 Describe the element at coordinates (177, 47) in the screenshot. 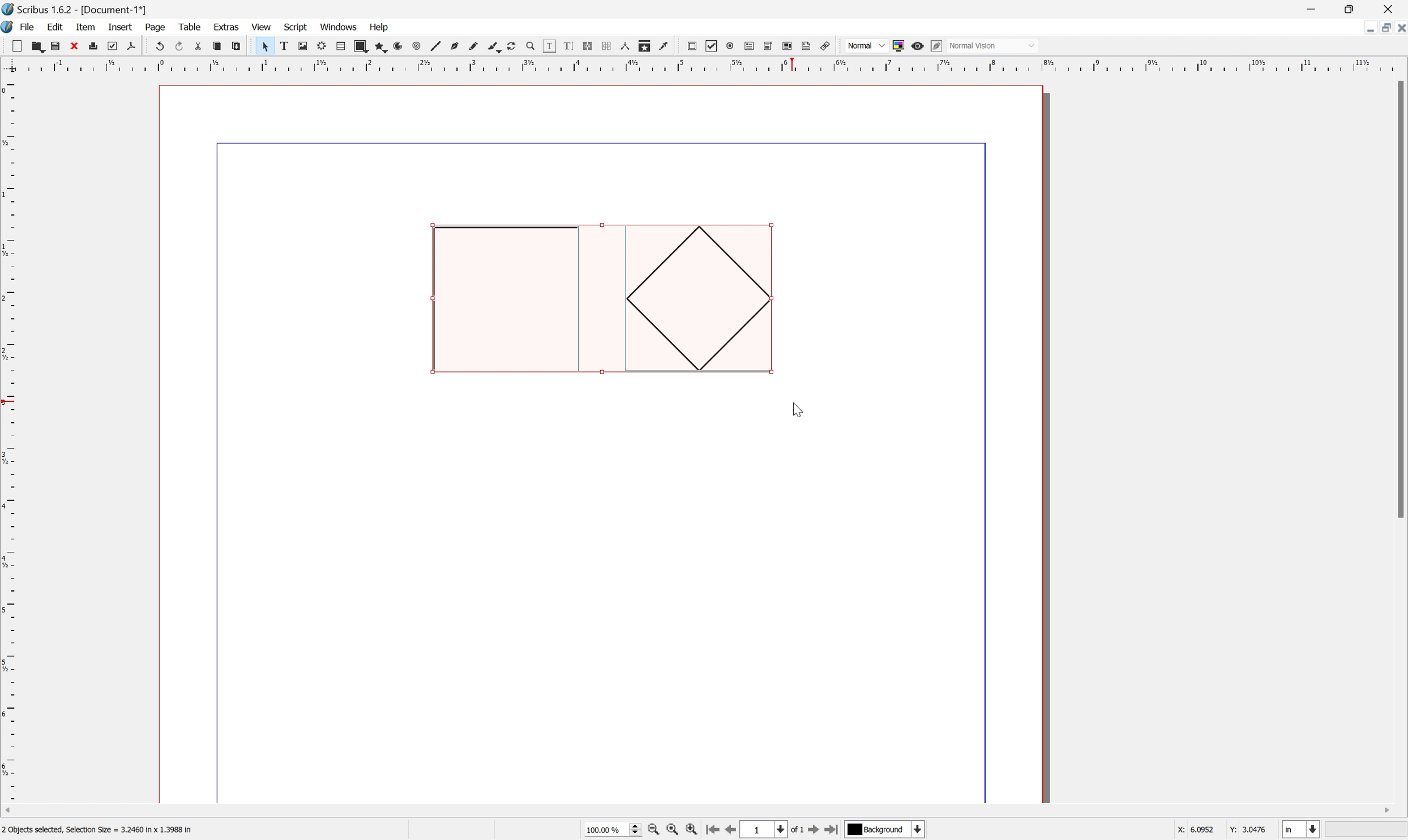

I see `redo` at that location.